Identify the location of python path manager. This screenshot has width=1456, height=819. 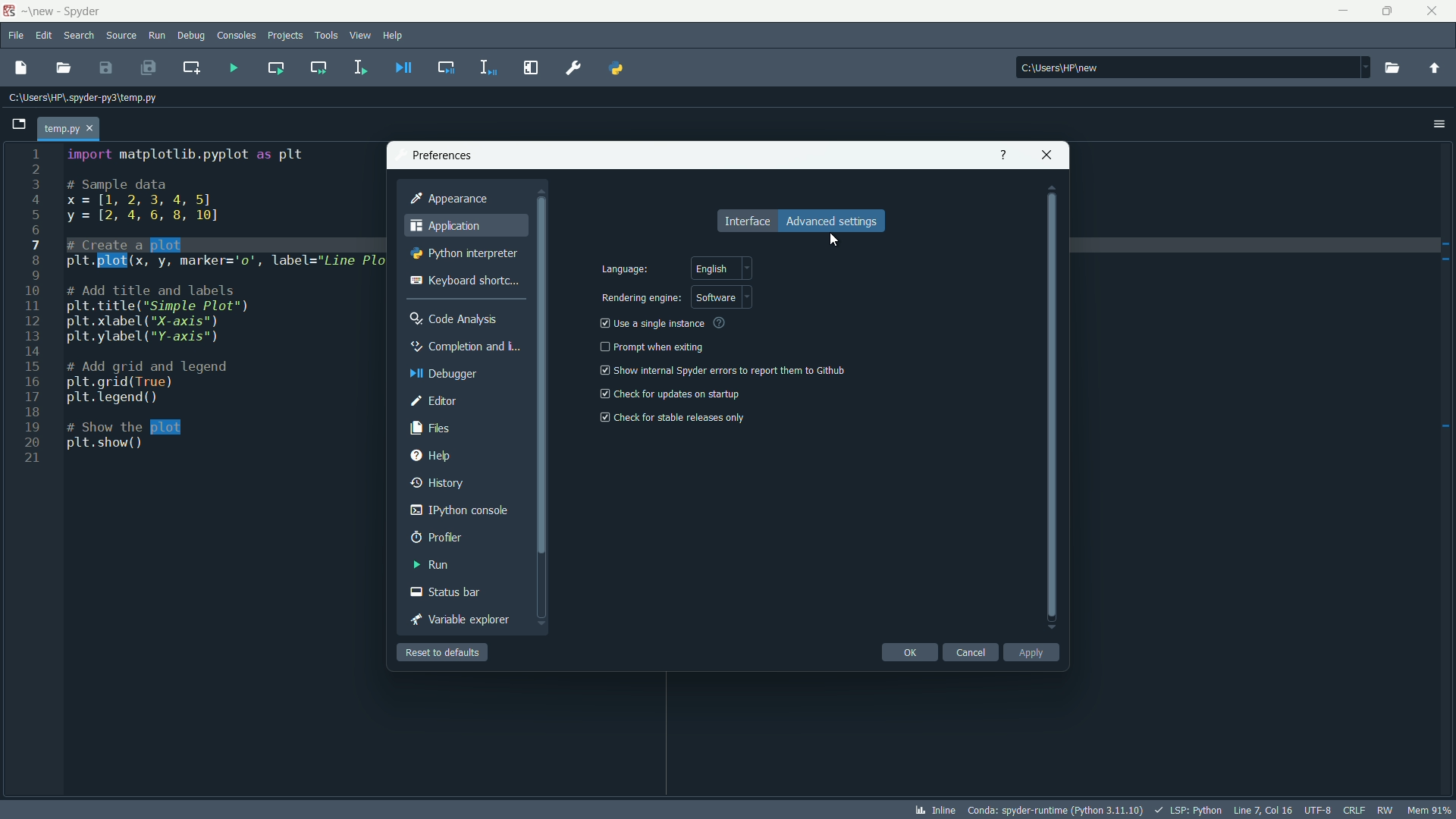
(617, 68).